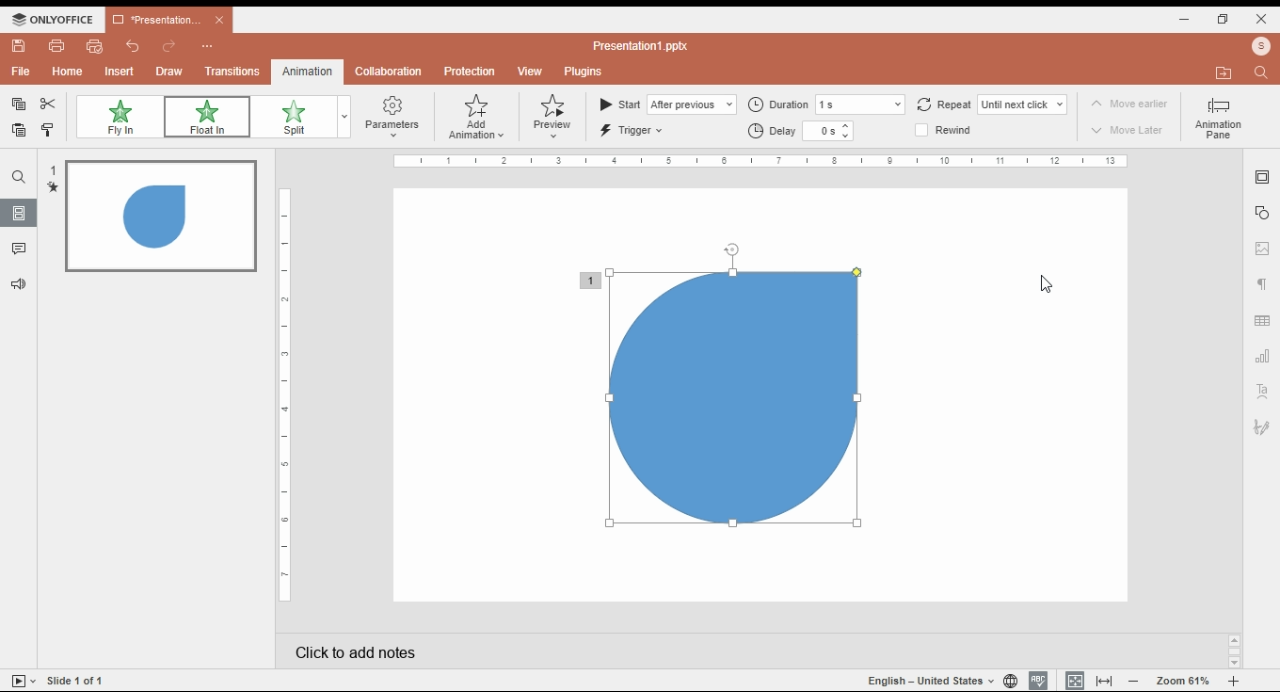 The width and height of the screenshot is (1280, 692). I want to click on spell check, so click(1038, 681).